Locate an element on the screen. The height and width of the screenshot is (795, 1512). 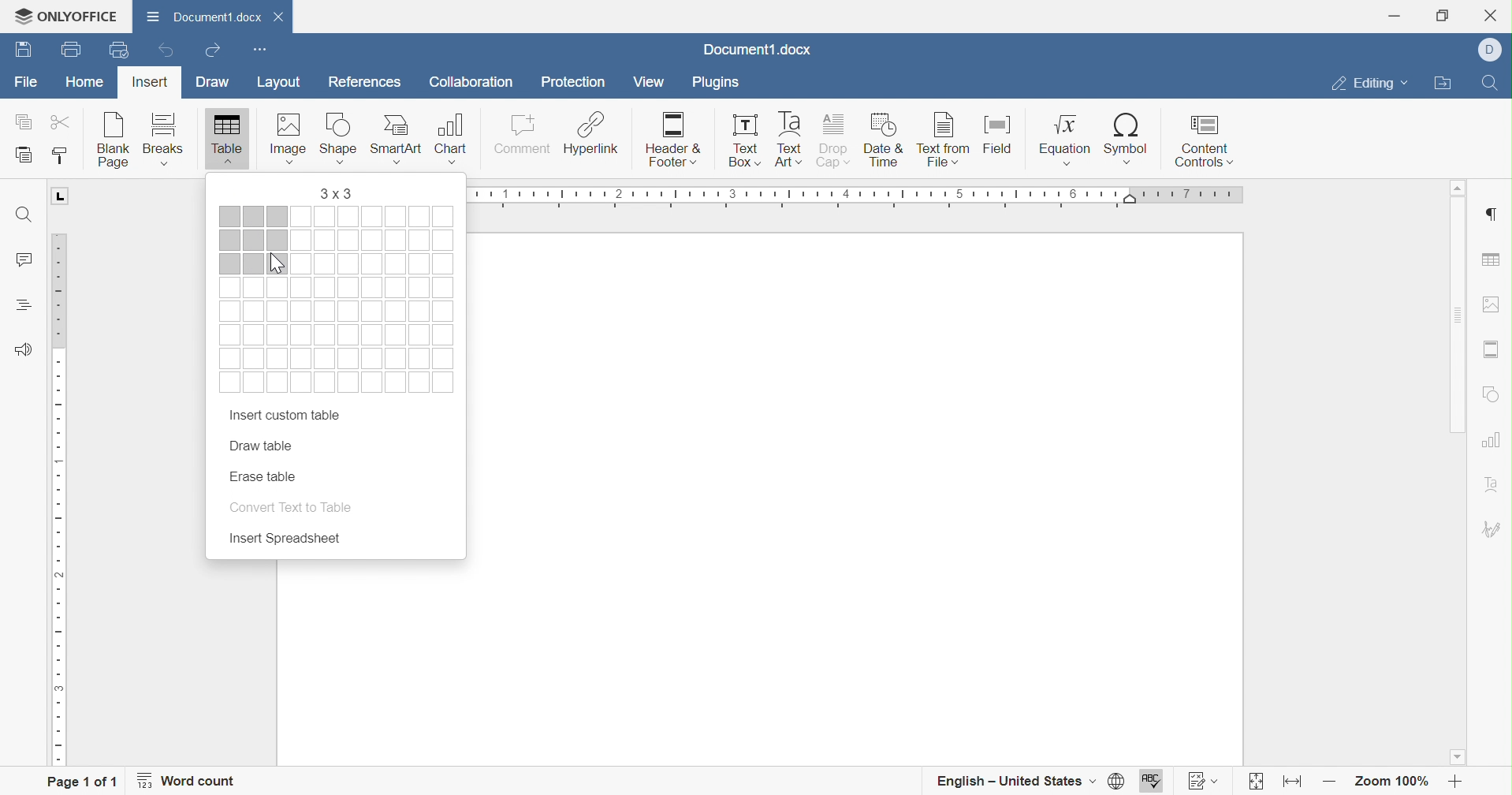
Field is located at coordinates (1002, 136).